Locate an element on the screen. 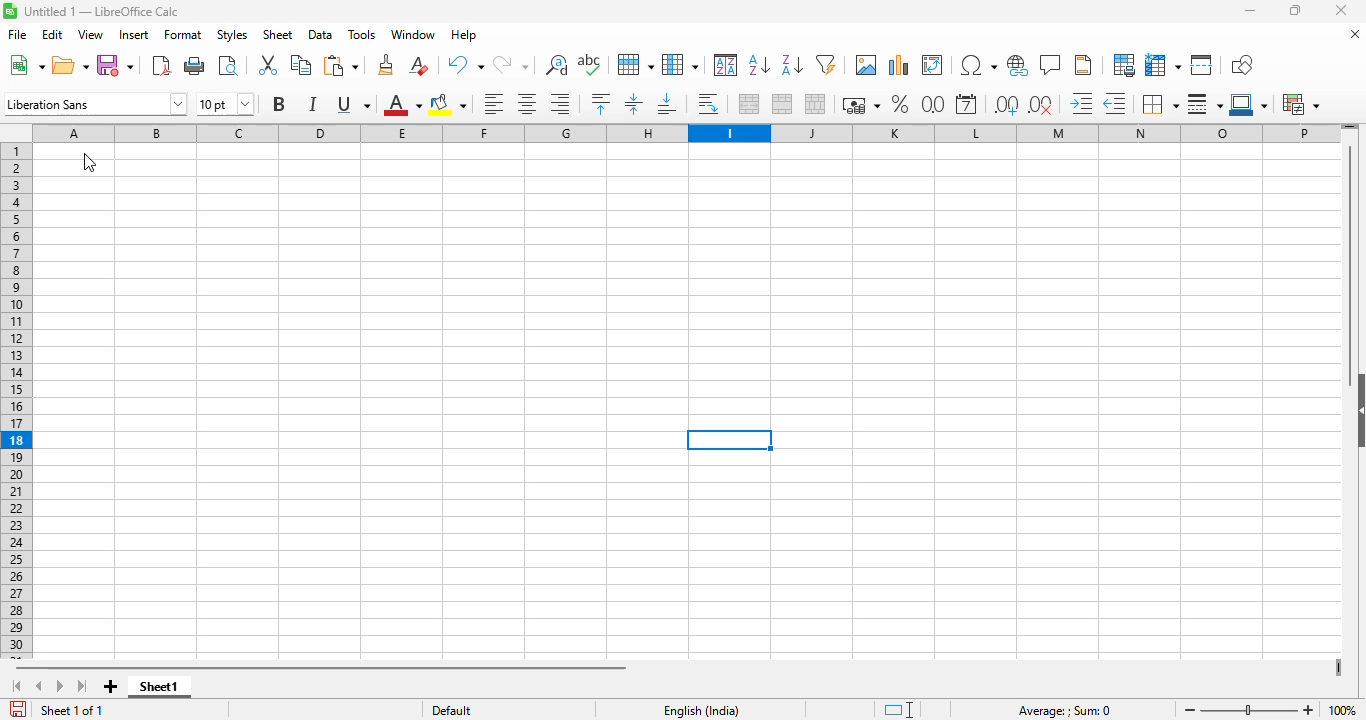  format as number is located at coordinates (934, 105).